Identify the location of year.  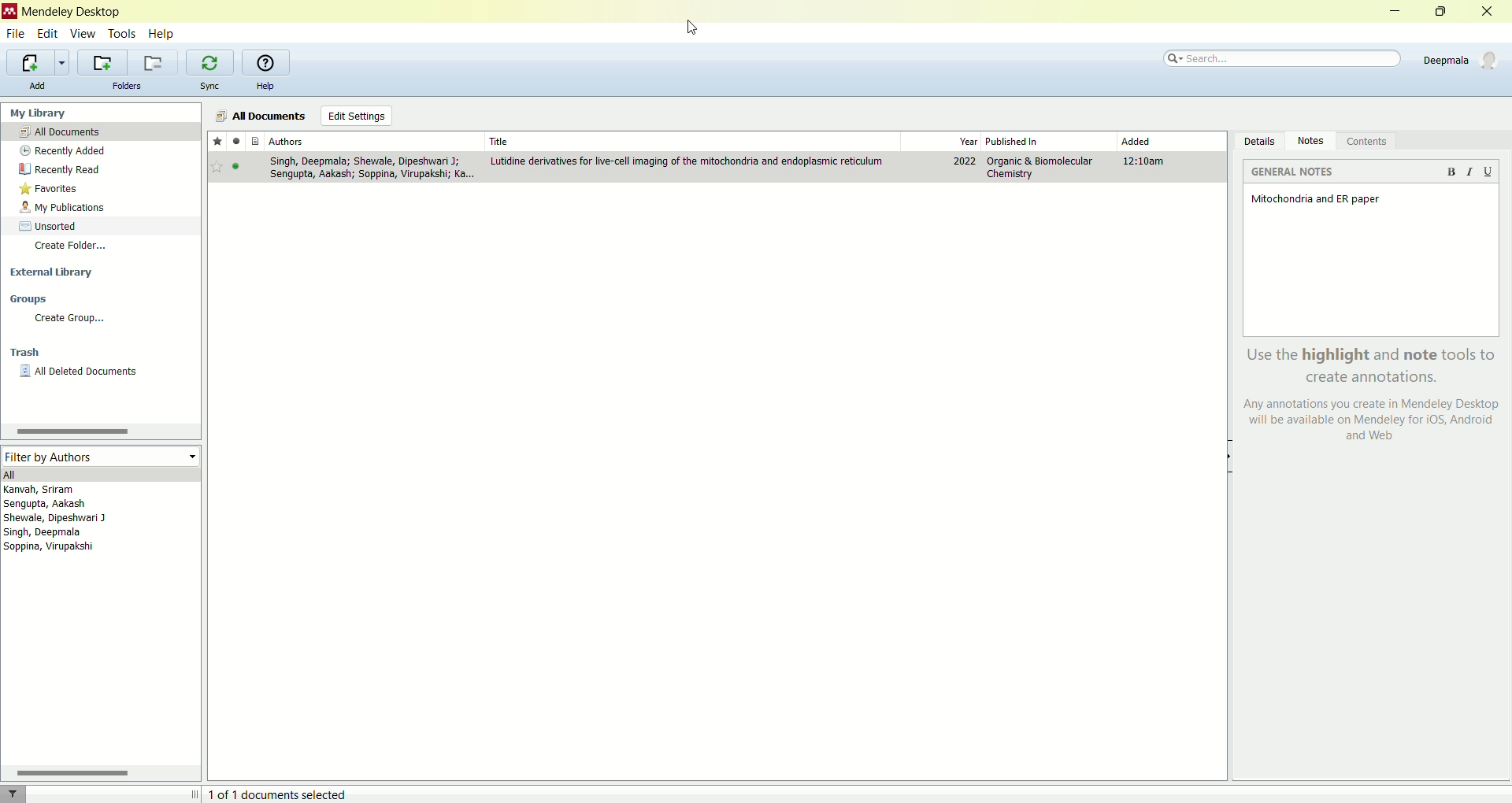
(968, 142).